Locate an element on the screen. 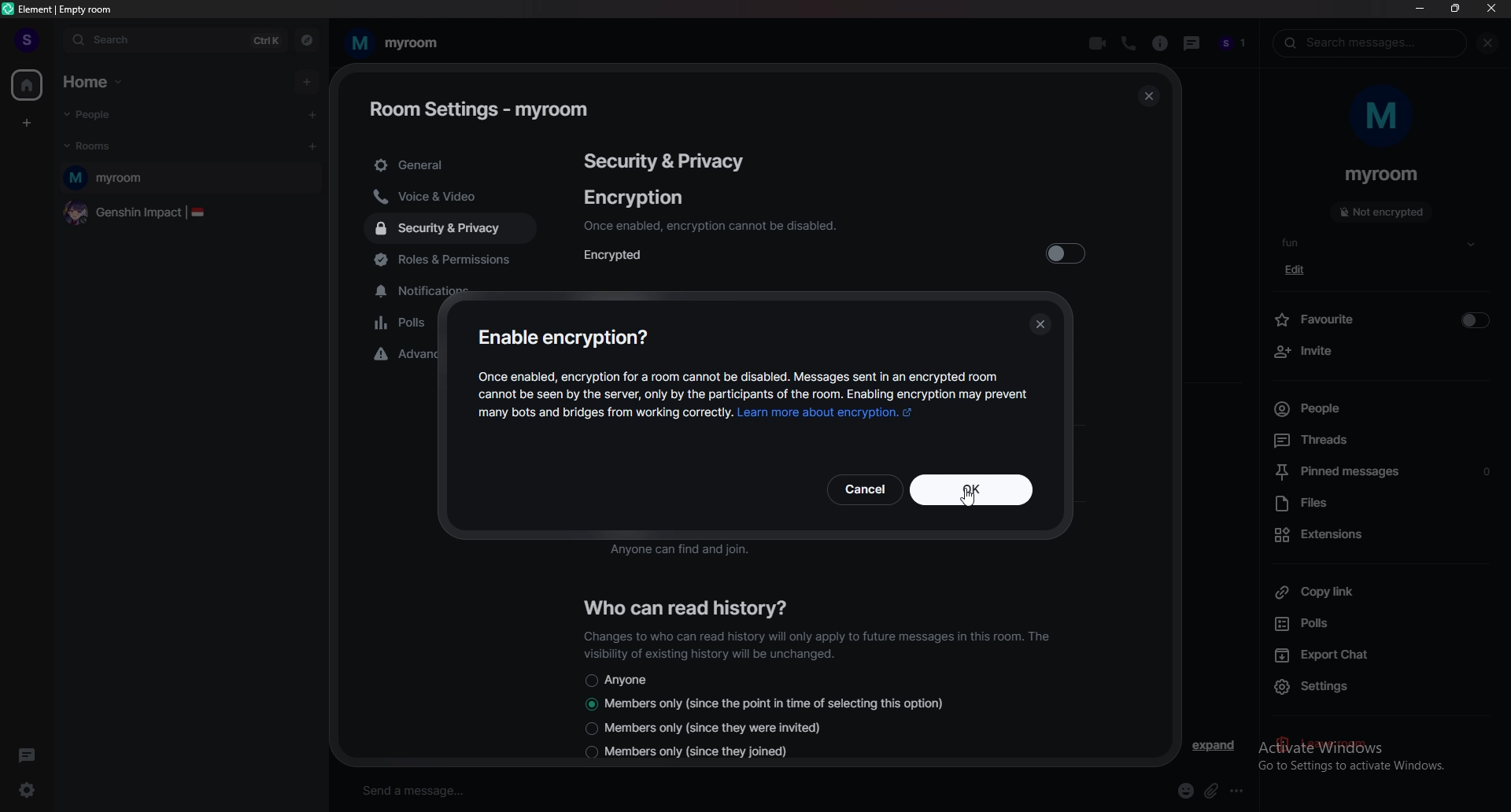  ok is located at coordinates (929, 489).